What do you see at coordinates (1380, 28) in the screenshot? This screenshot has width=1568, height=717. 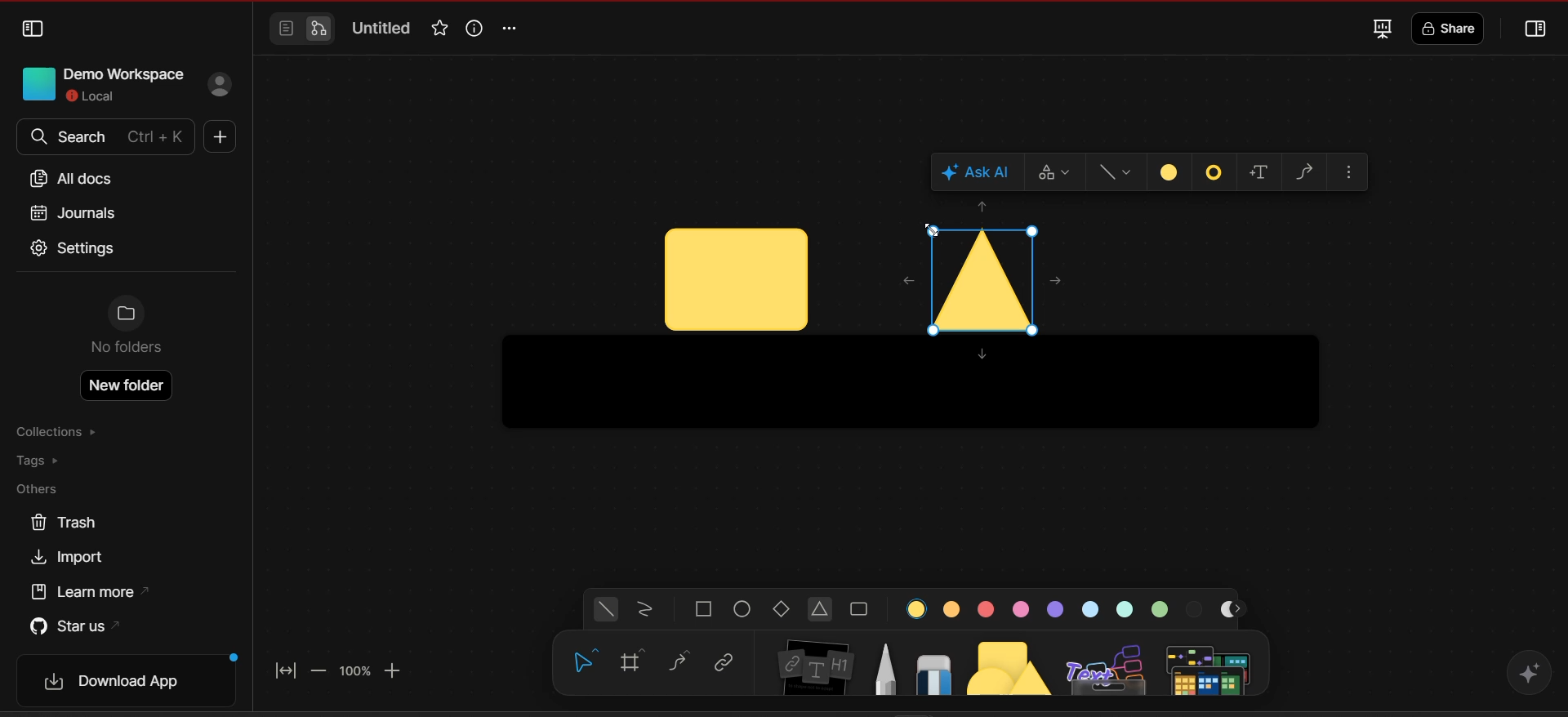 I see `fullscreen` at bounding box center [1380, 28].